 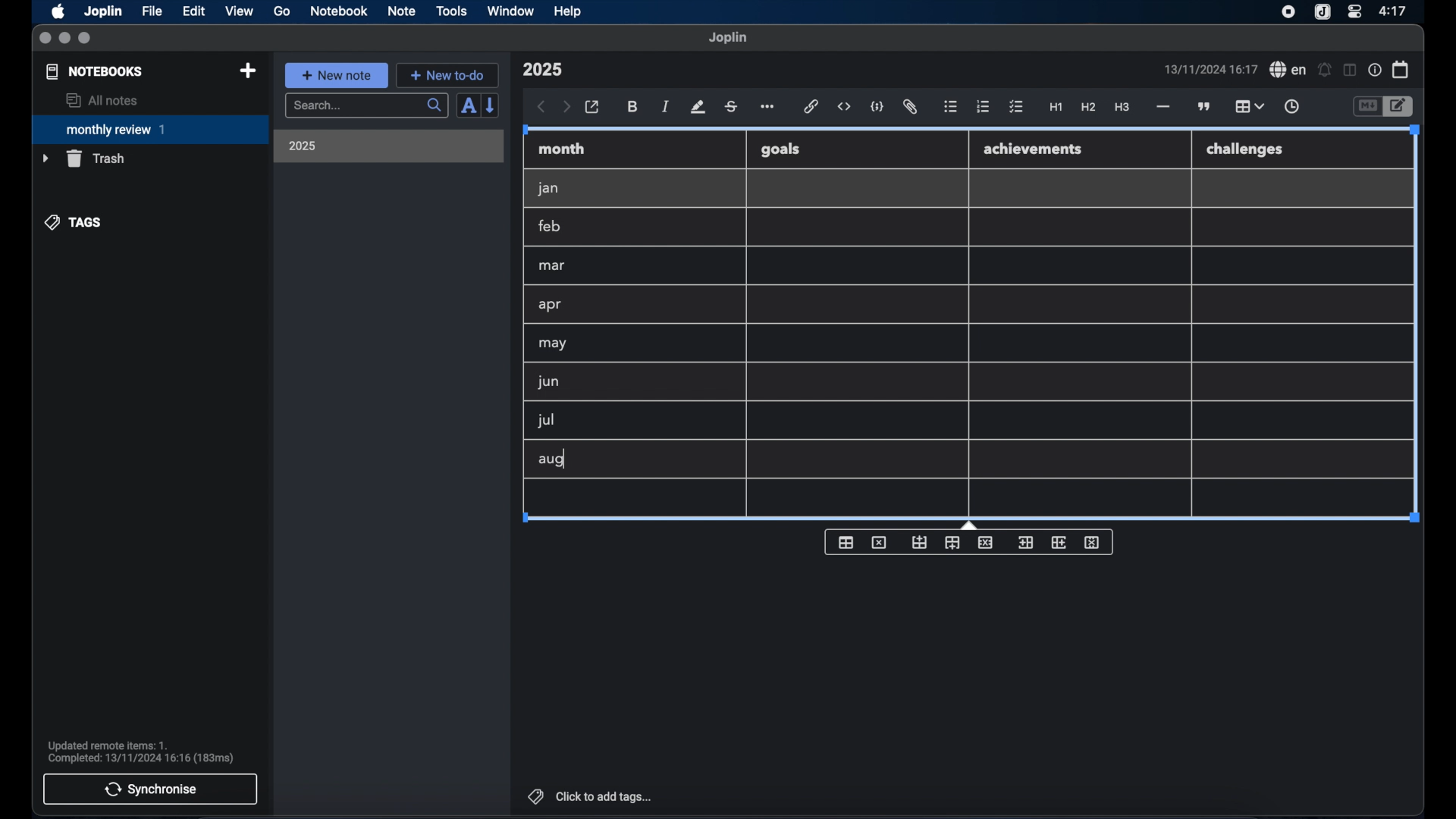 What do you see at coordinates (1205, 107) in the screenshot?
I see `block quotes` at bounding box center [1205, 107].